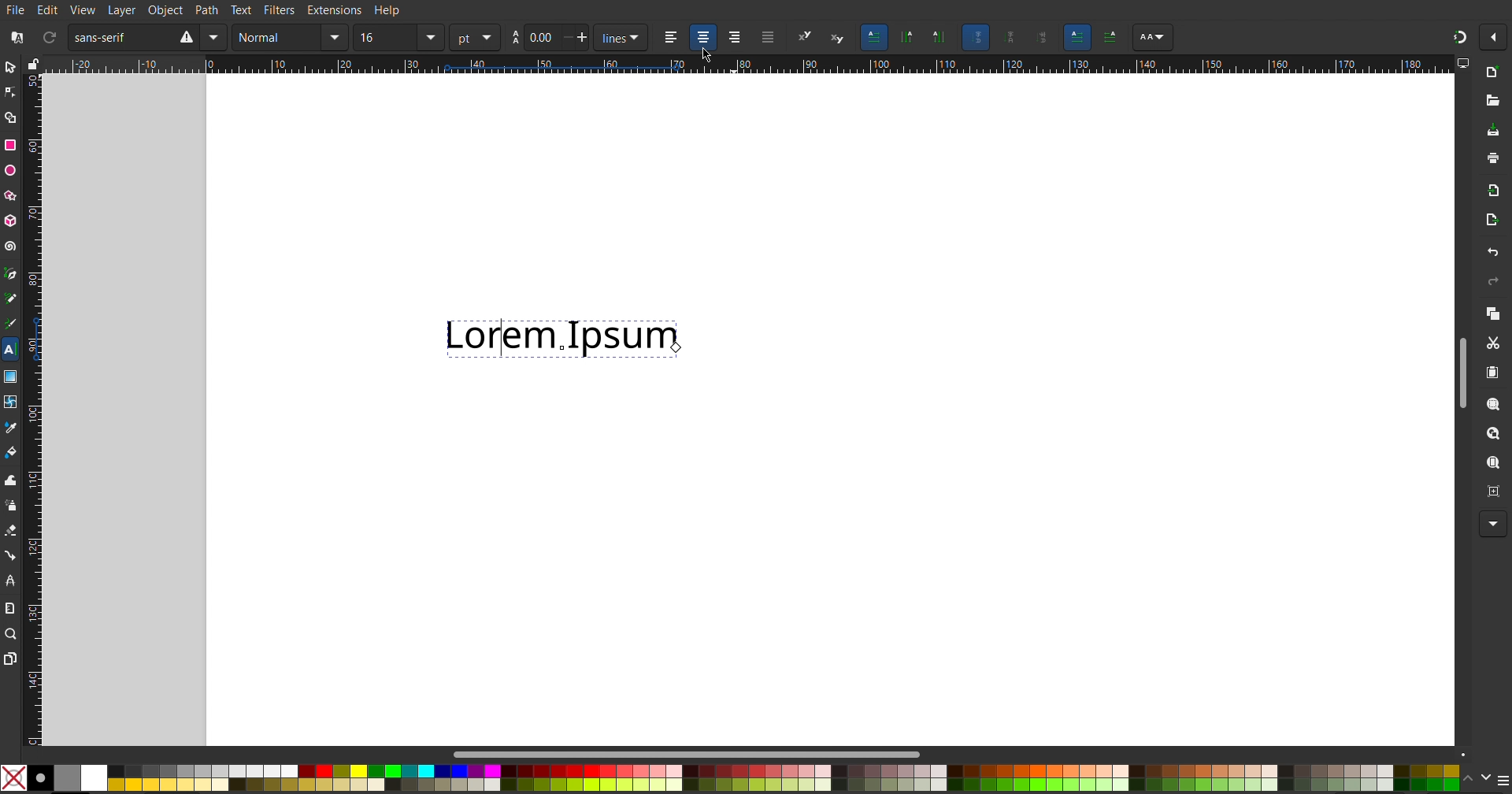 Image resolution: width=1512 pixels, height=794 pixels. Describe the element at coordinates (14, 9) in the screenshot. I see `FIle` at that location.